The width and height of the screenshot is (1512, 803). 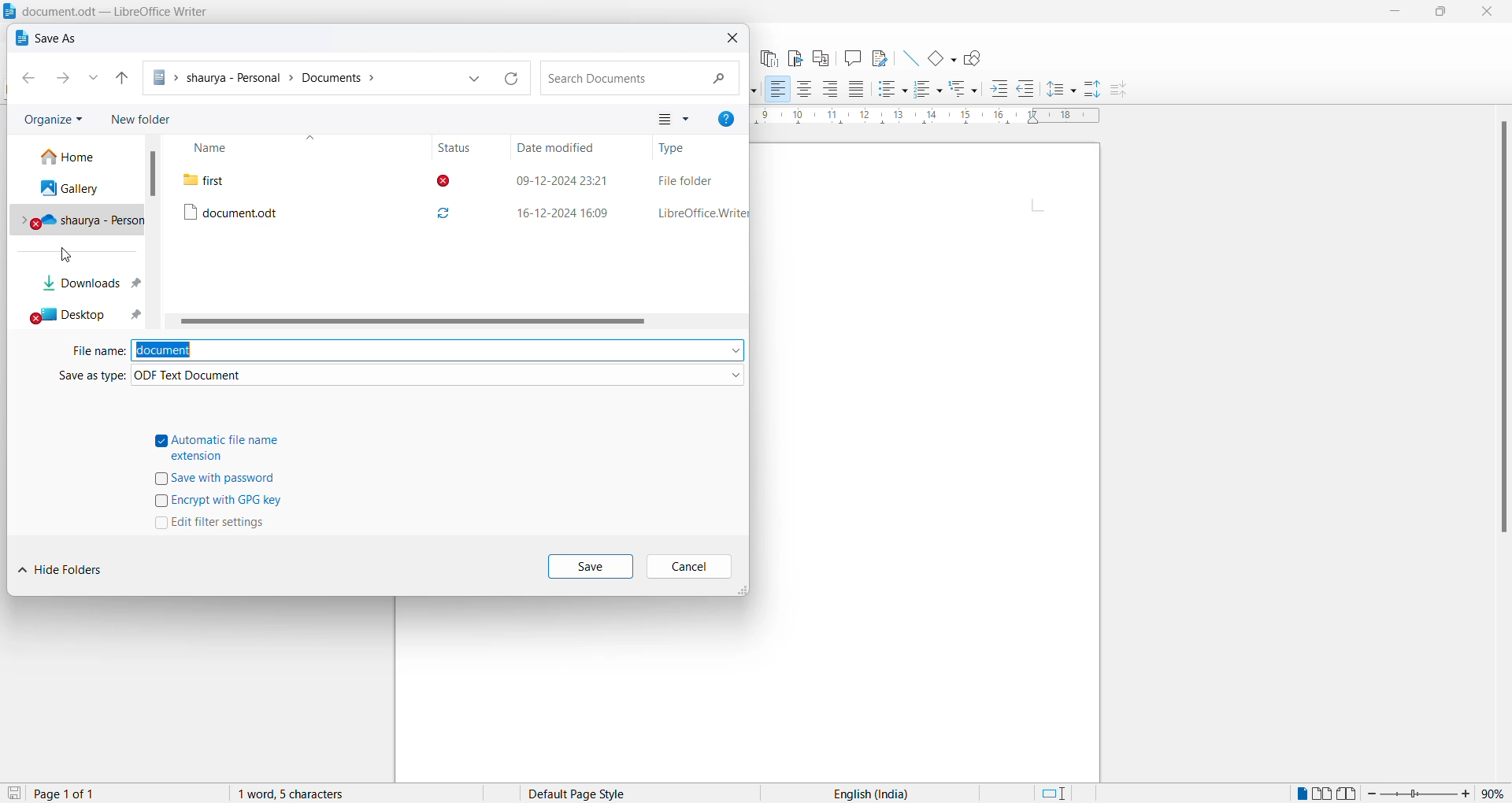 What do you see at coordinates (1322, 793) in the screenshot?
I see `Multipage view` at bounding box center [1322, 793].